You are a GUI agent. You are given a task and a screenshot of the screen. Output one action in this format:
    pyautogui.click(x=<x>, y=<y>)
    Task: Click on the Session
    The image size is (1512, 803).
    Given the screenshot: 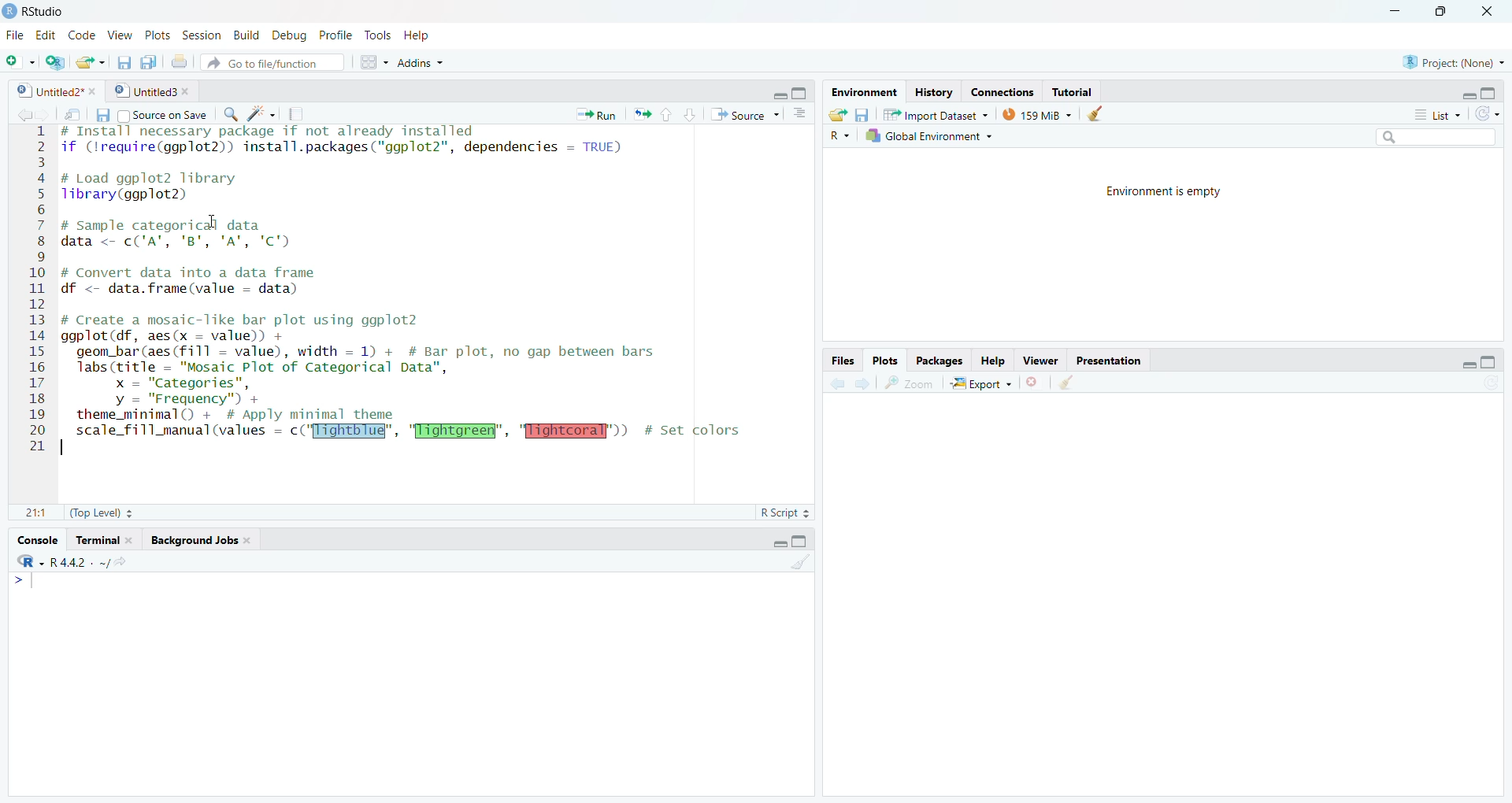 What is the action you would take?
    pyautogui.click(x=202, y=37)
    